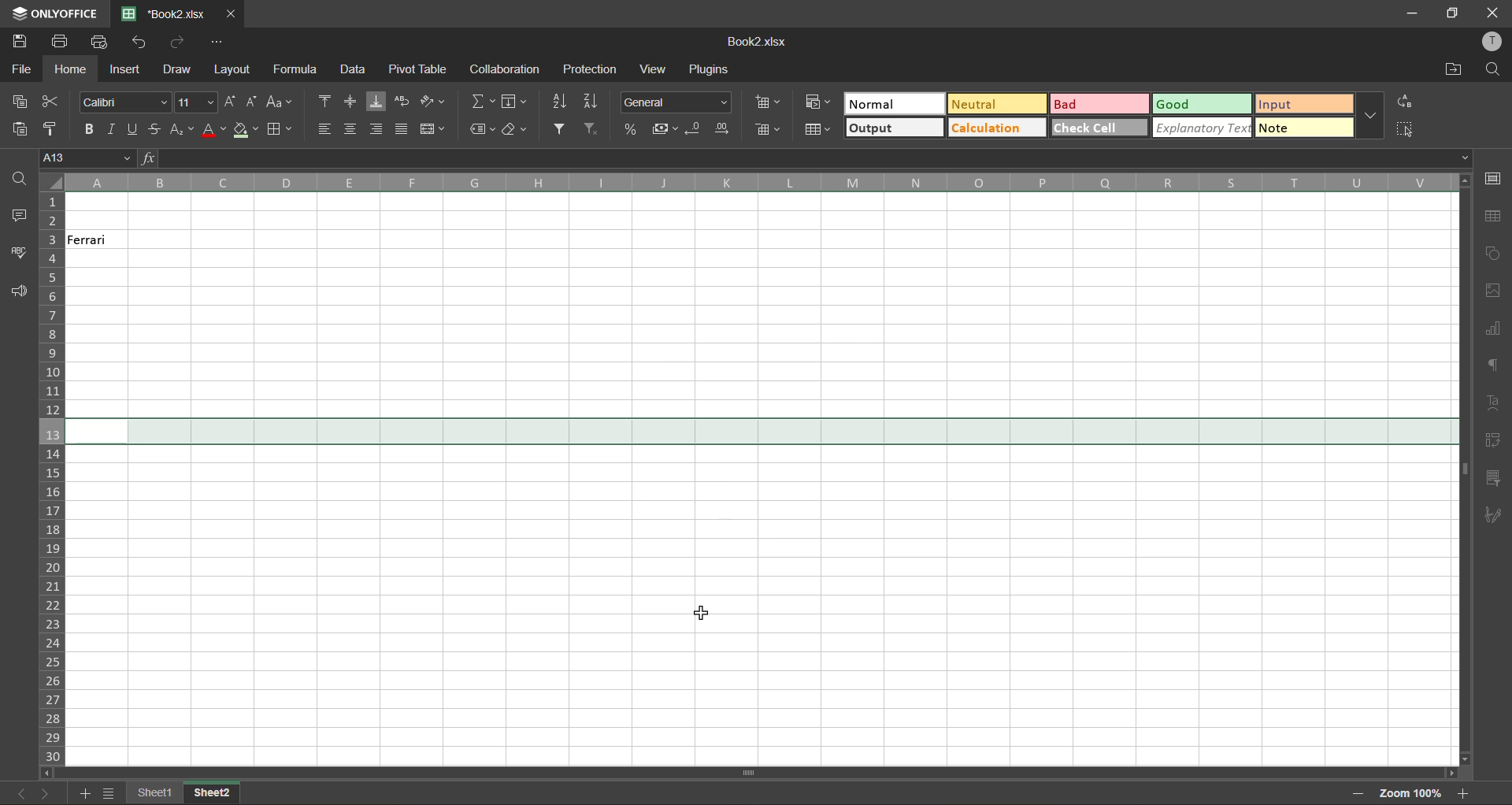  Describe the element at coordinates (1467, 157) in the screenshot. I see `Drop-down ` at that location.